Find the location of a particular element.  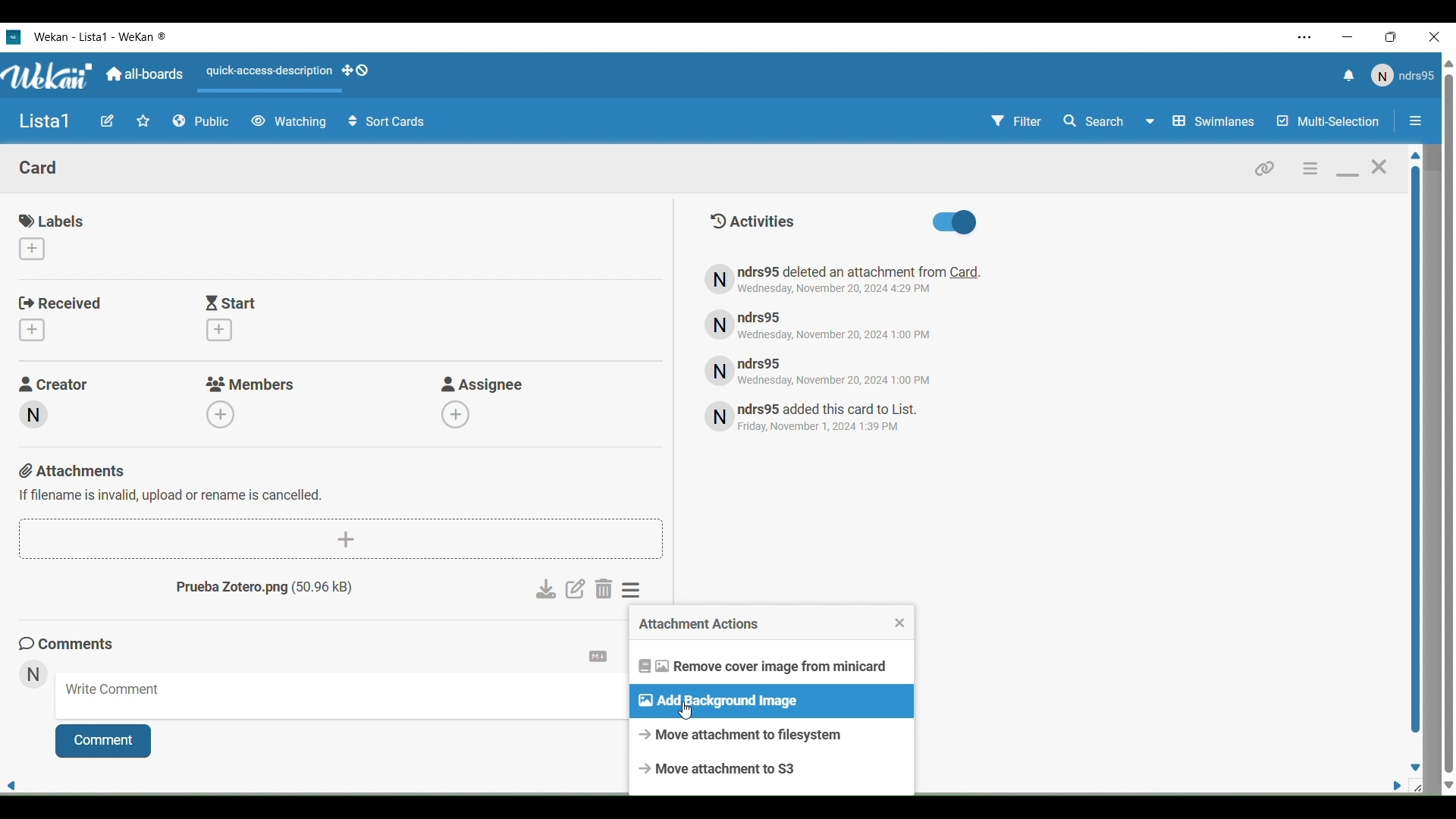

Public is located at coordinates (202, 122).